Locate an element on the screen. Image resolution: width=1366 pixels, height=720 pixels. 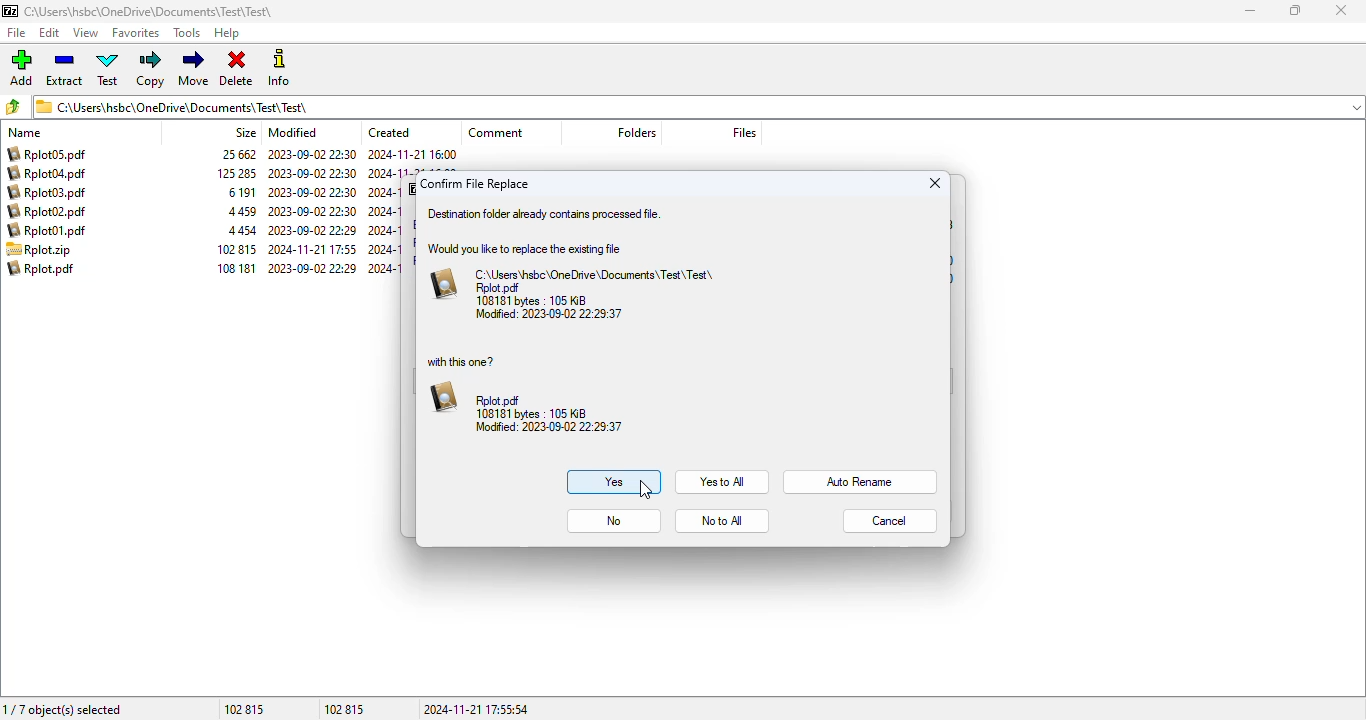
Cancel is located at coordinates (891, 521).